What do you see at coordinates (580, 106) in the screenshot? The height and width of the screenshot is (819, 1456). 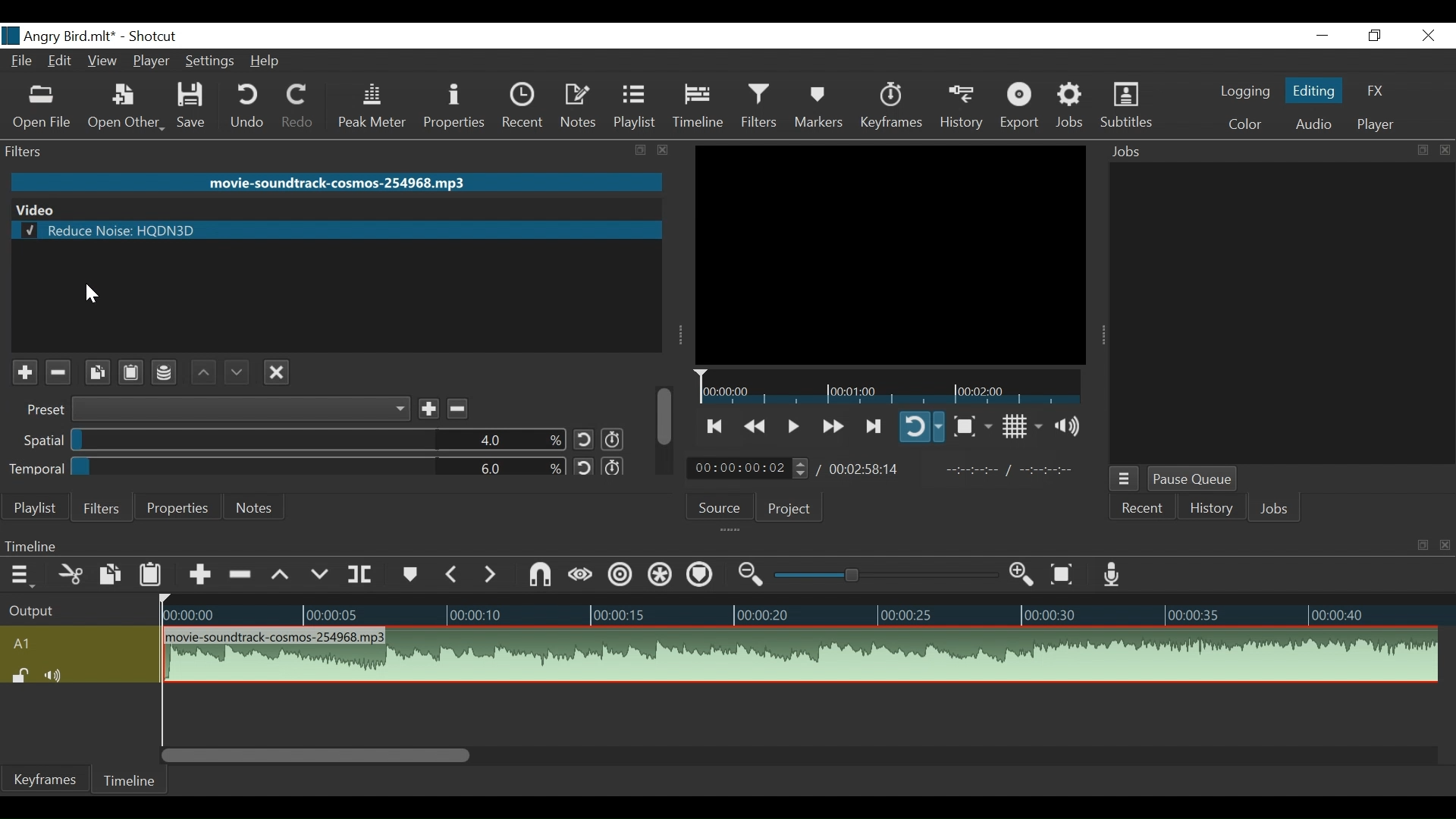 I see `Notes` at bounding box center [580, 106].